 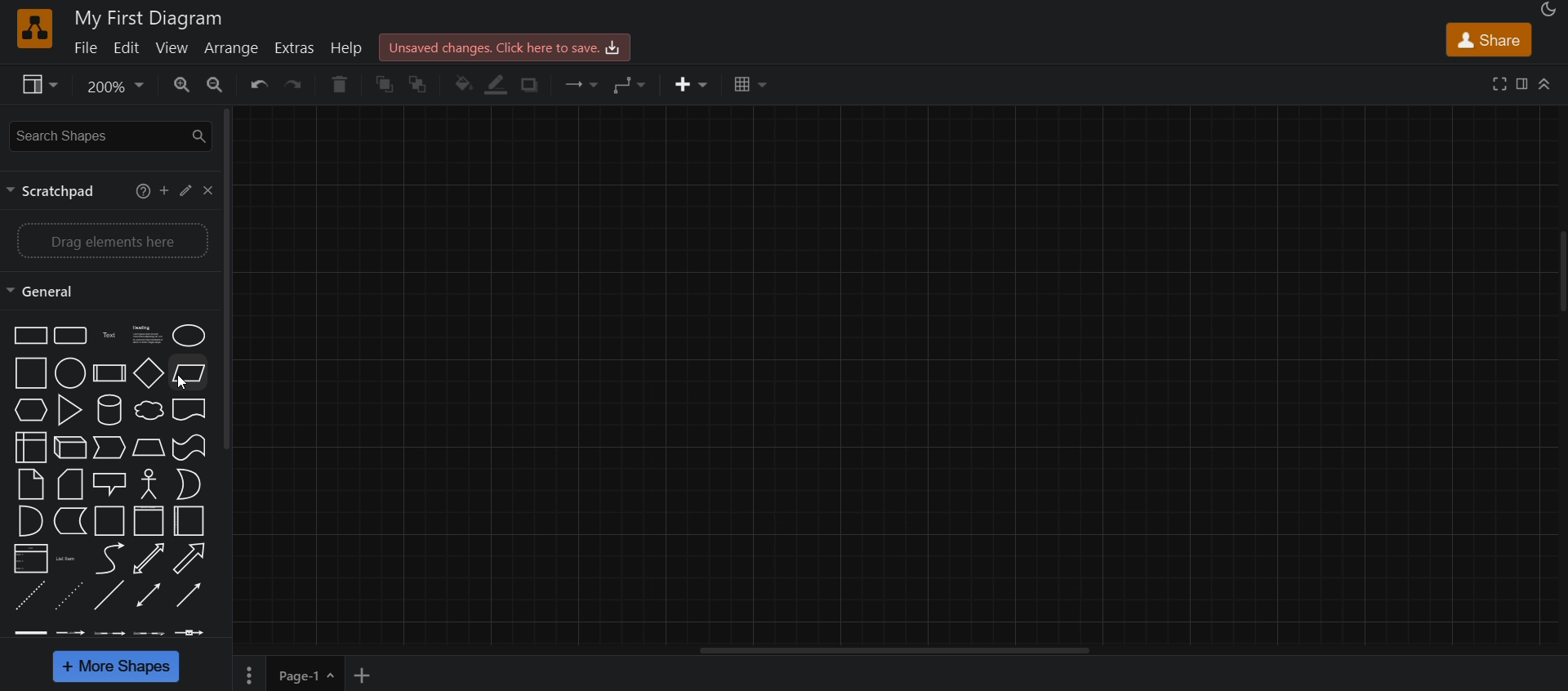 What do you see at coordinates (221, 86) in the screenshot?
I see `zoom out` at bounding box center [221, 86].